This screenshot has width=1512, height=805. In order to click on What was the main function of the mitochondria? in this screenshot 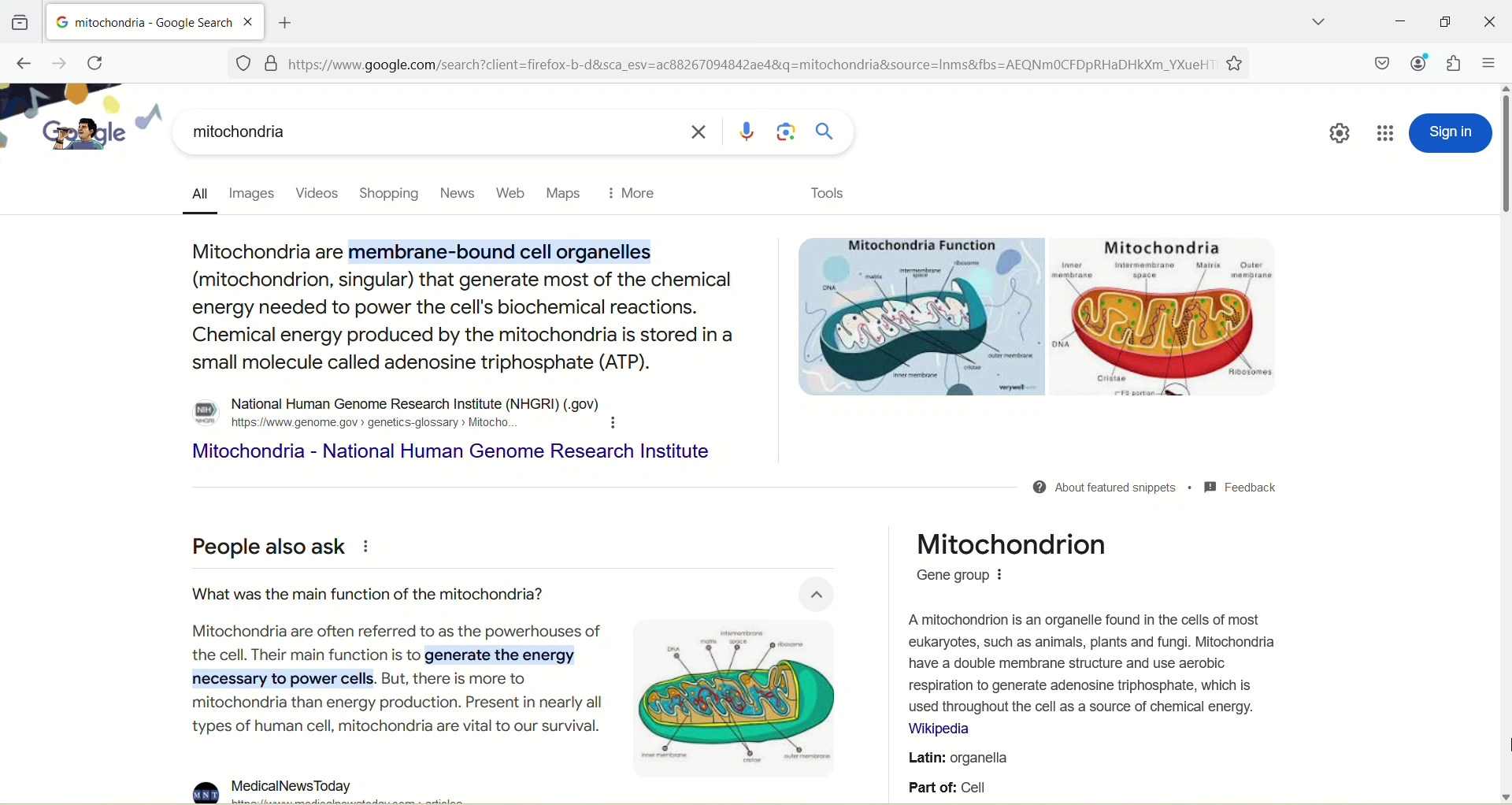, I will do `click(369, 592)`.